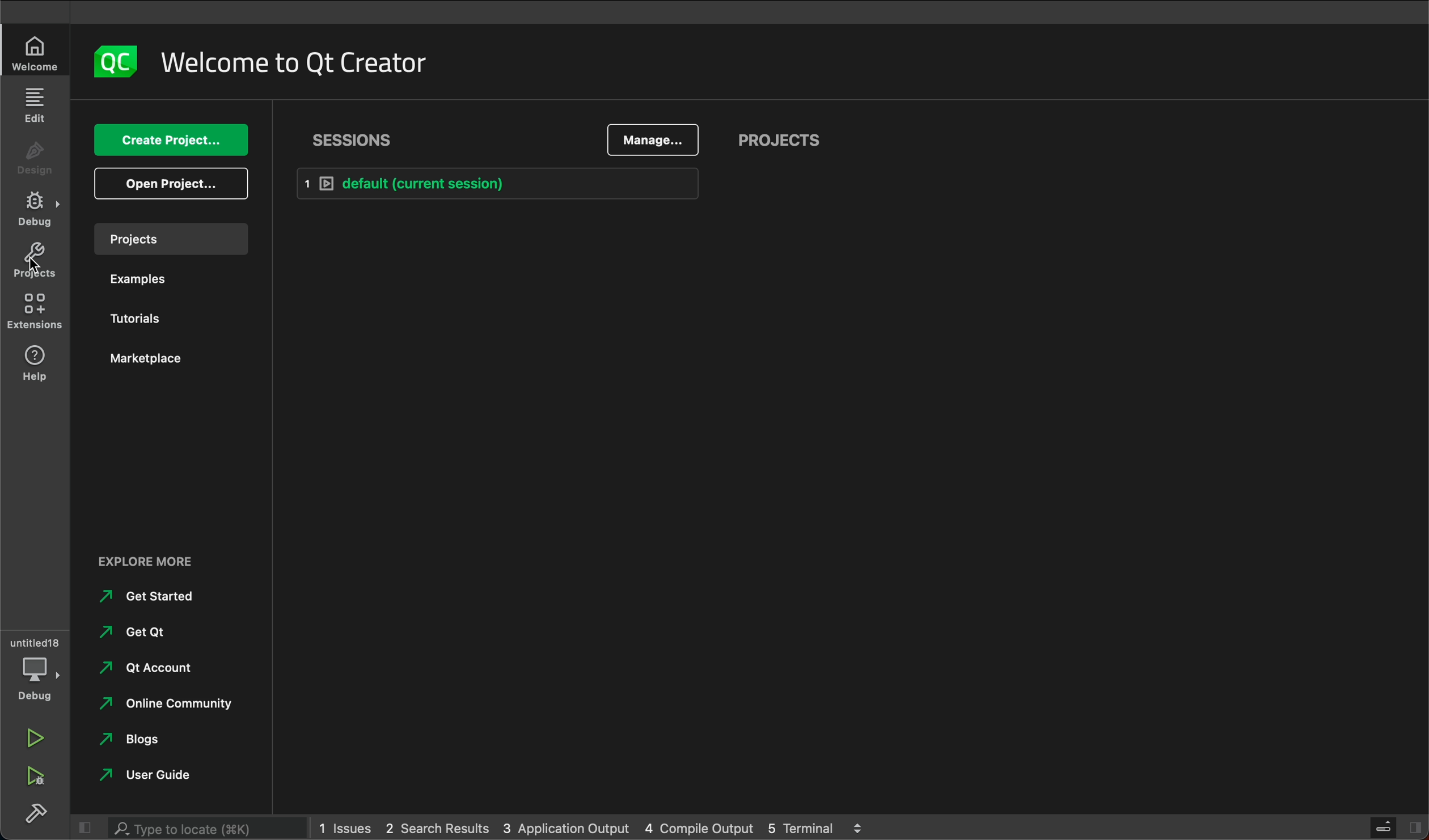 This screenshot has width=1429, height=840. Describe the element at coordinates (34, 261) in the screenshot. I see `projects` at that location.